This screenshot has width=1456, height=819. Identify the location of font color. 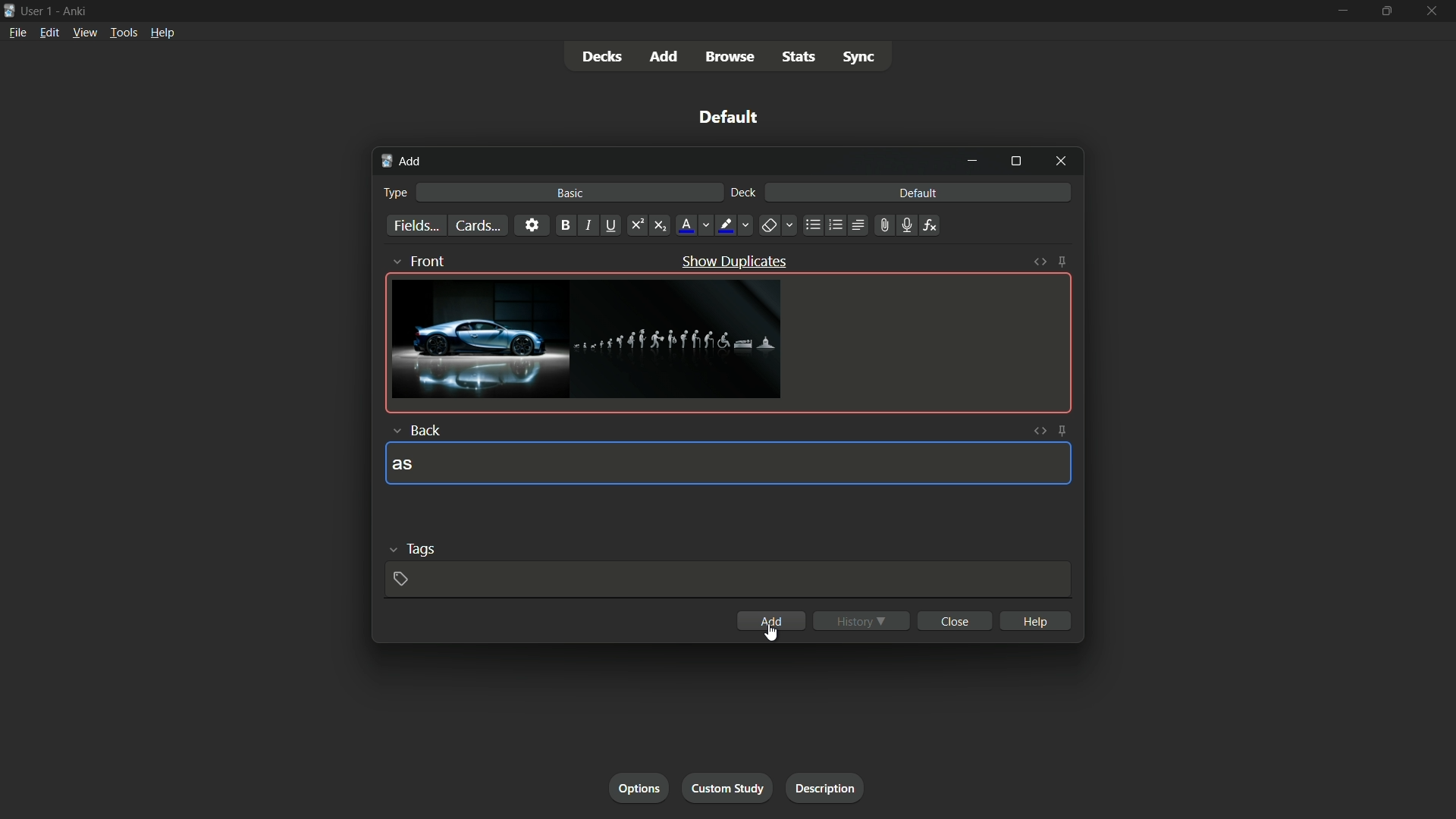
(694, 224).